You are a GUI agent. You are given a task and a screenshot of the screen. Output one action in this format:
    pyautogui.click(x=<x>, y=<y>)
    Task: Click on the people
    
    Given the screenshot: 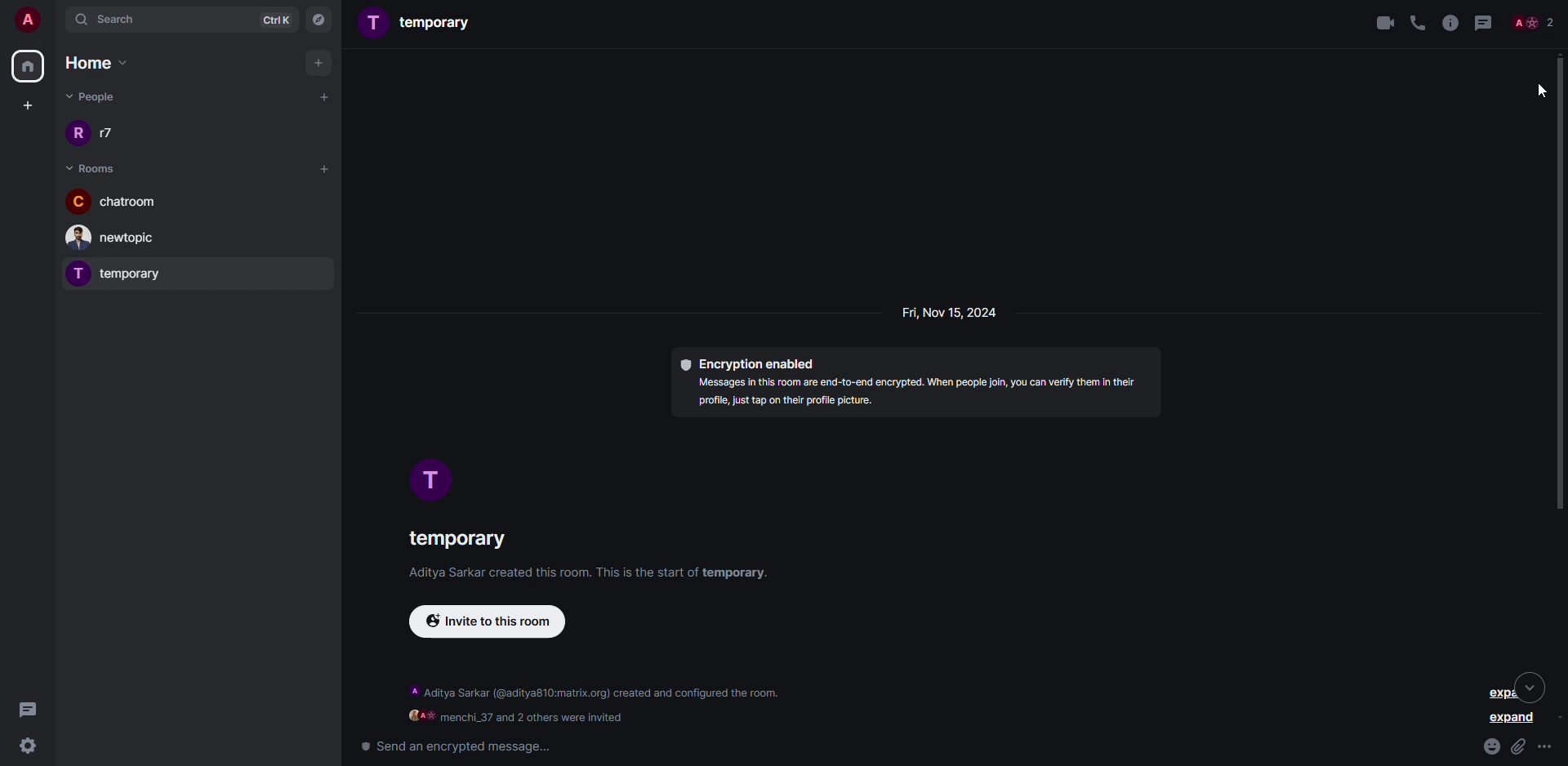 What is the action you would take?
    pyautogui.click(x=1534, y=21)
    